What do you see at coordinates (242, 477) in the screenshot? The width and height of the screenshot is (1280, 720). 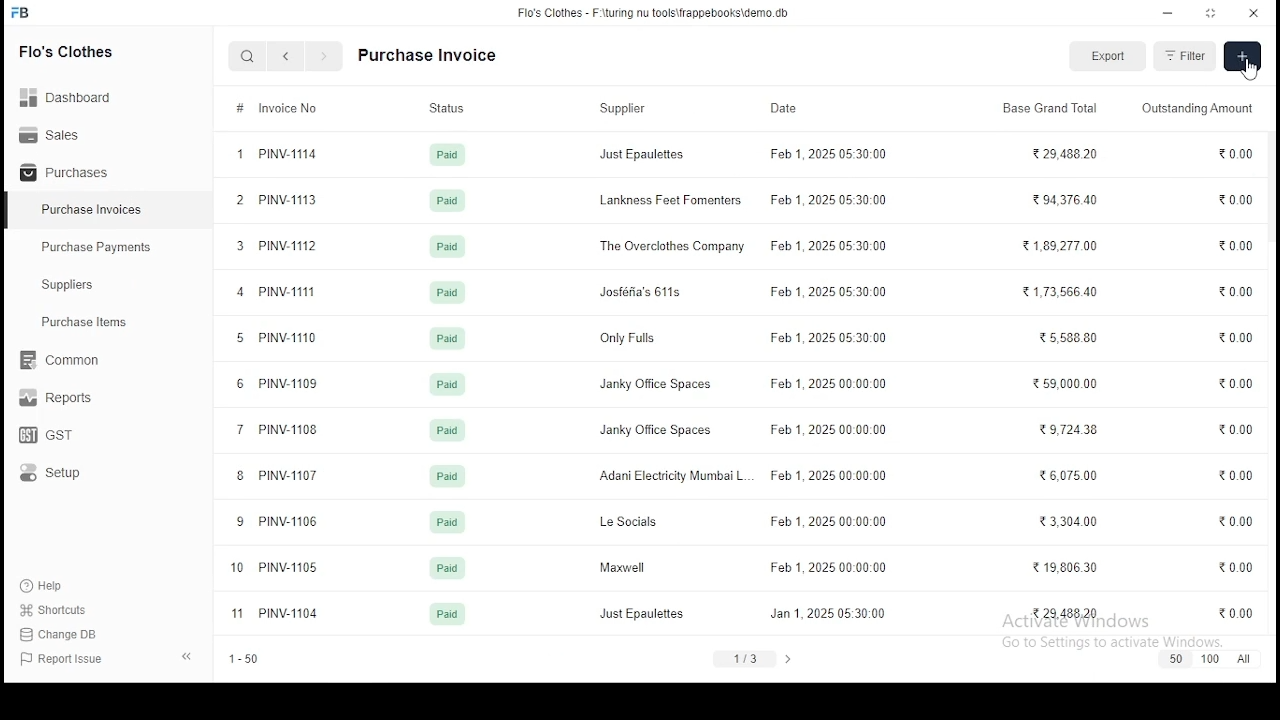 I see `8` at bounding box center [242, 477].